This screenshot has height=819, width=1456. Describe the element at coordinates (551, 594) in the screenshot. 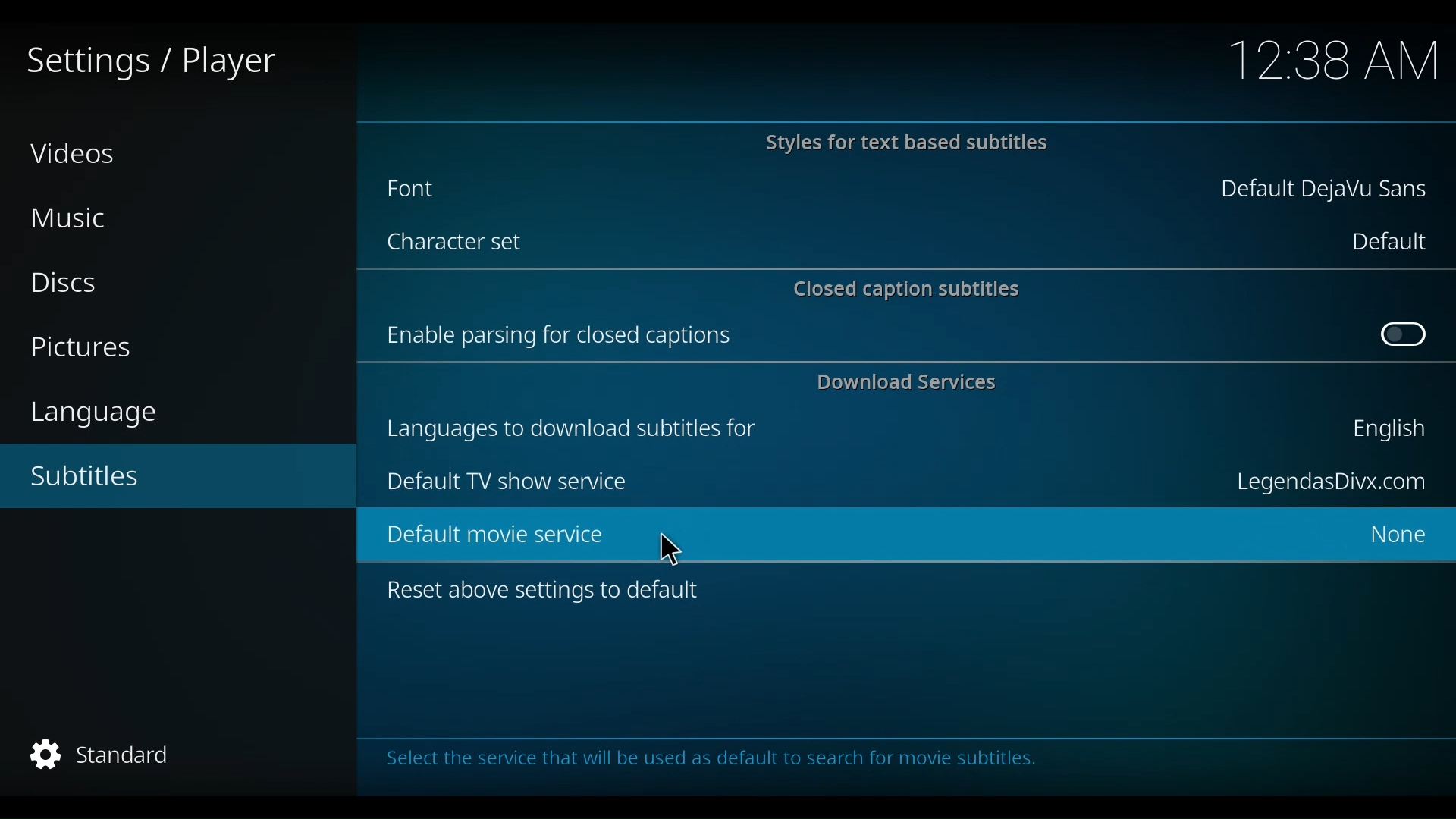

I see `Reset above settings to default` at that location.